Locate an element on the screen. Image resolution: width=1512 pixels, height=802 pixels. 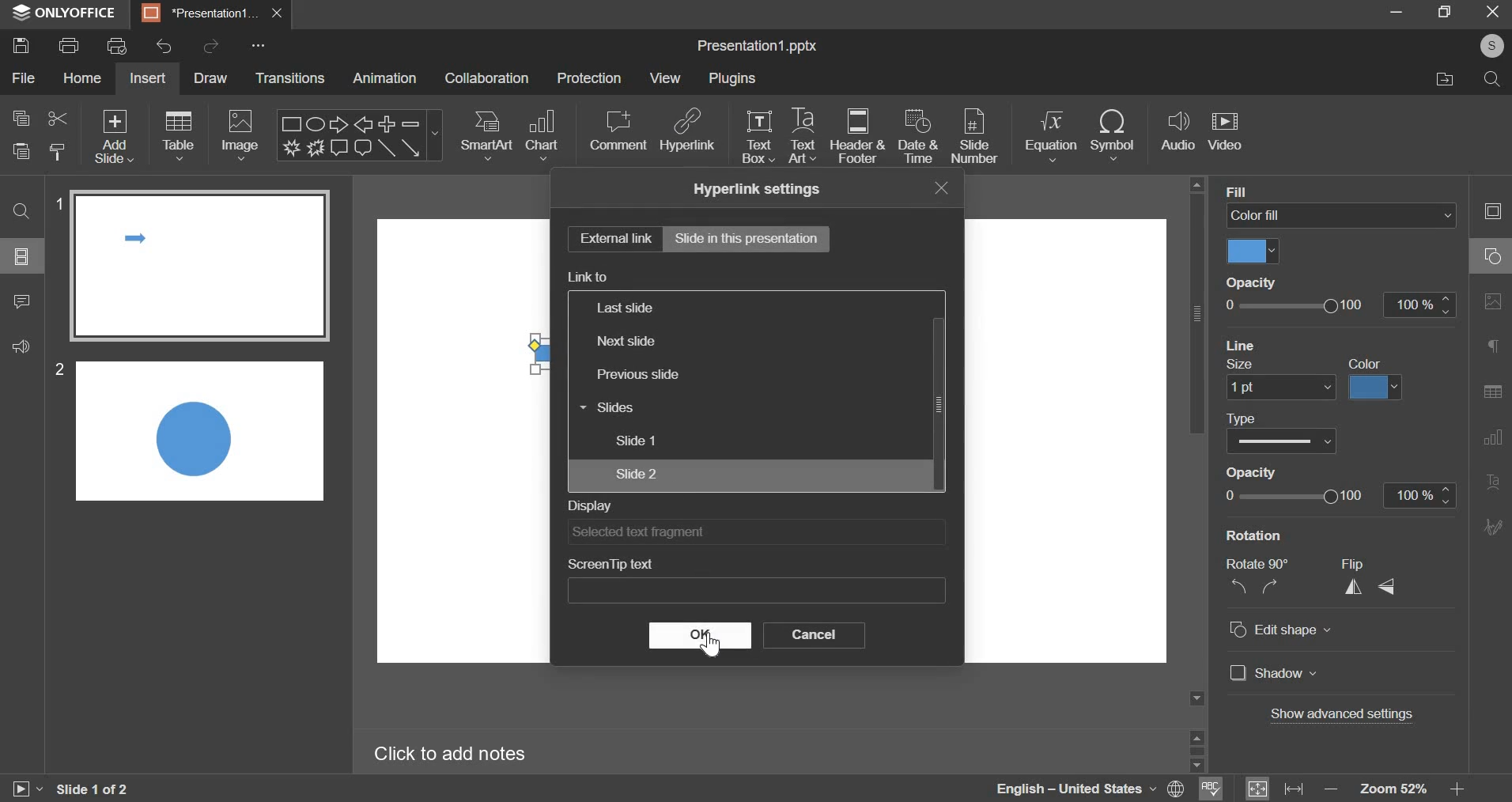
slide 2 preview is located at coordinates (199, 431).